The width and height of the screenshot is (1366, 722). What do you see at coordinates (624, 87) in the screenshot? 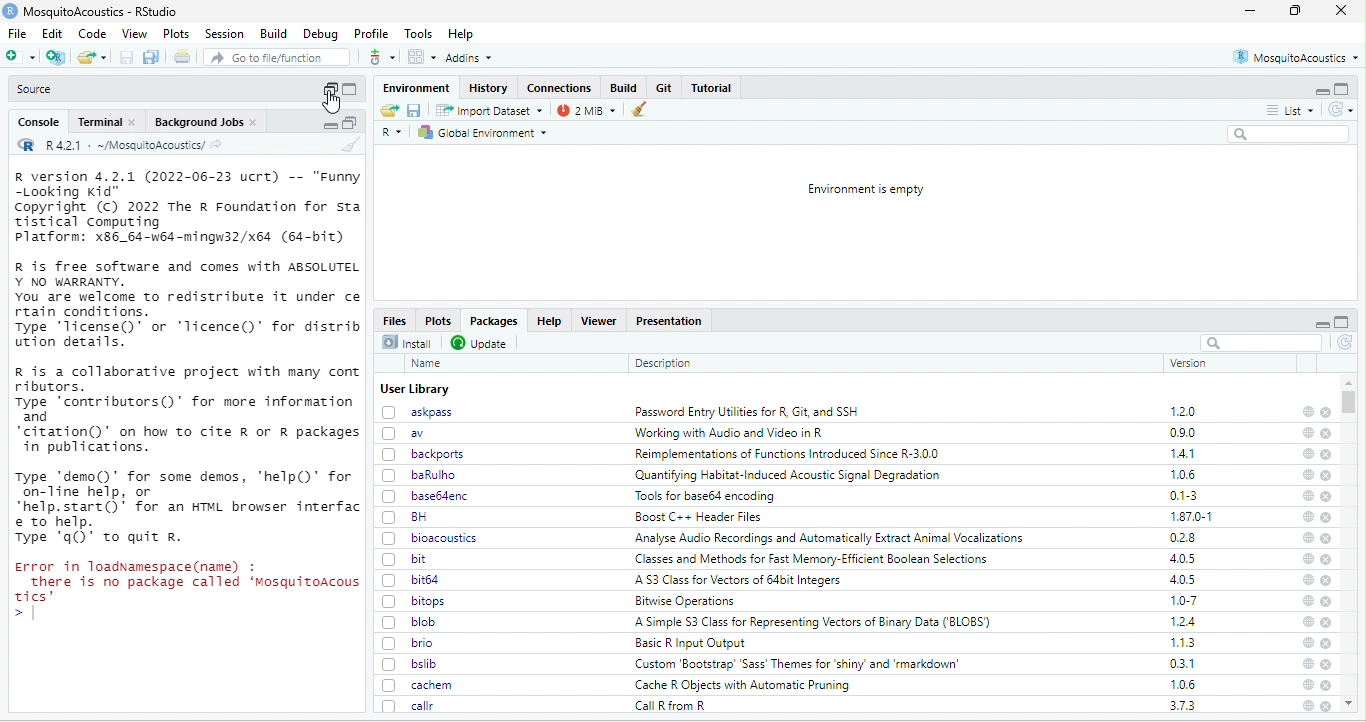
I see `Build` at bounding box center [624, 87].